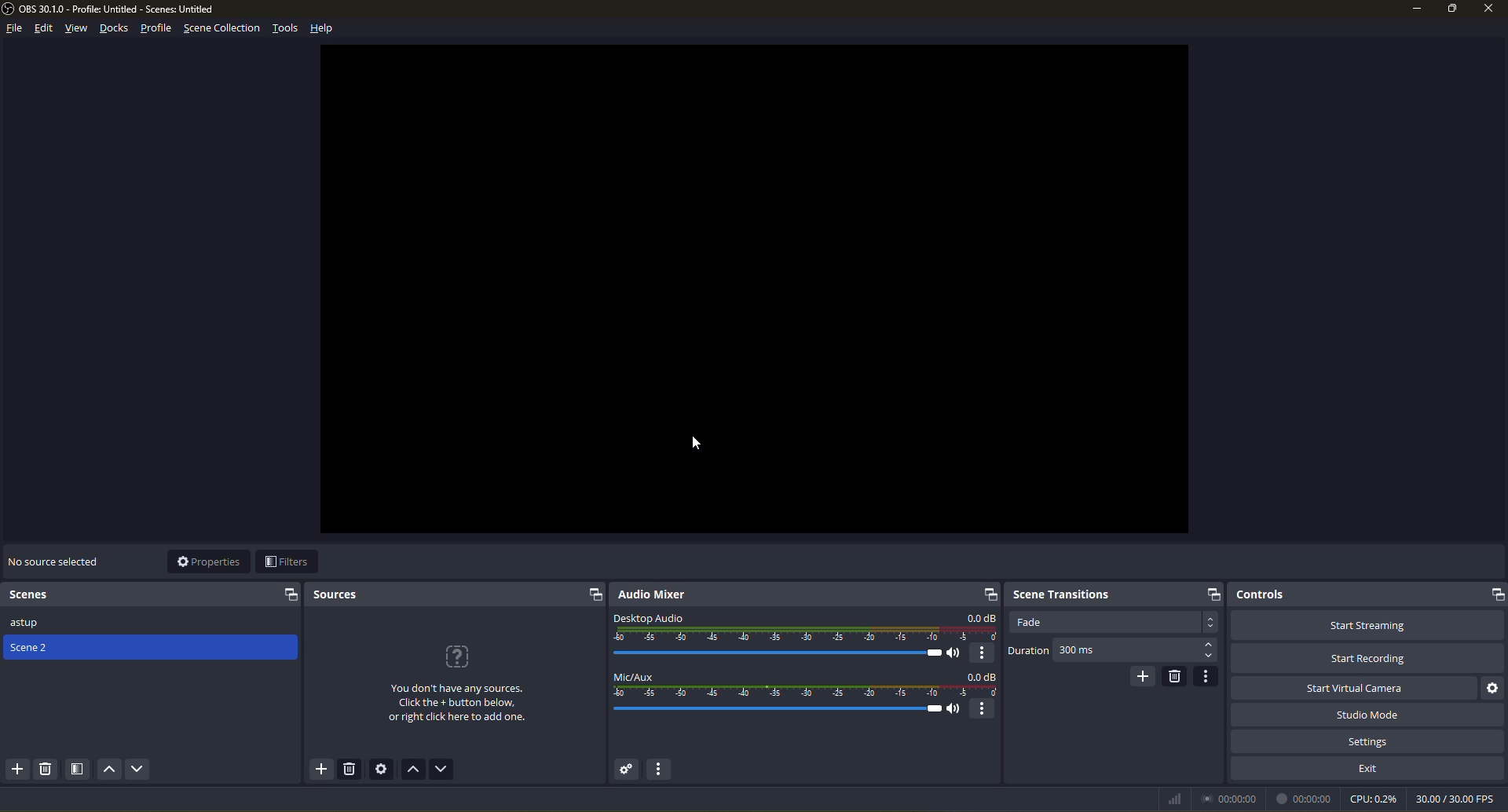 This screenshot has height=812, width=1508. Describe the element at coordinates (694, 442) in the screenshot. I see `Cursor ` at that location.